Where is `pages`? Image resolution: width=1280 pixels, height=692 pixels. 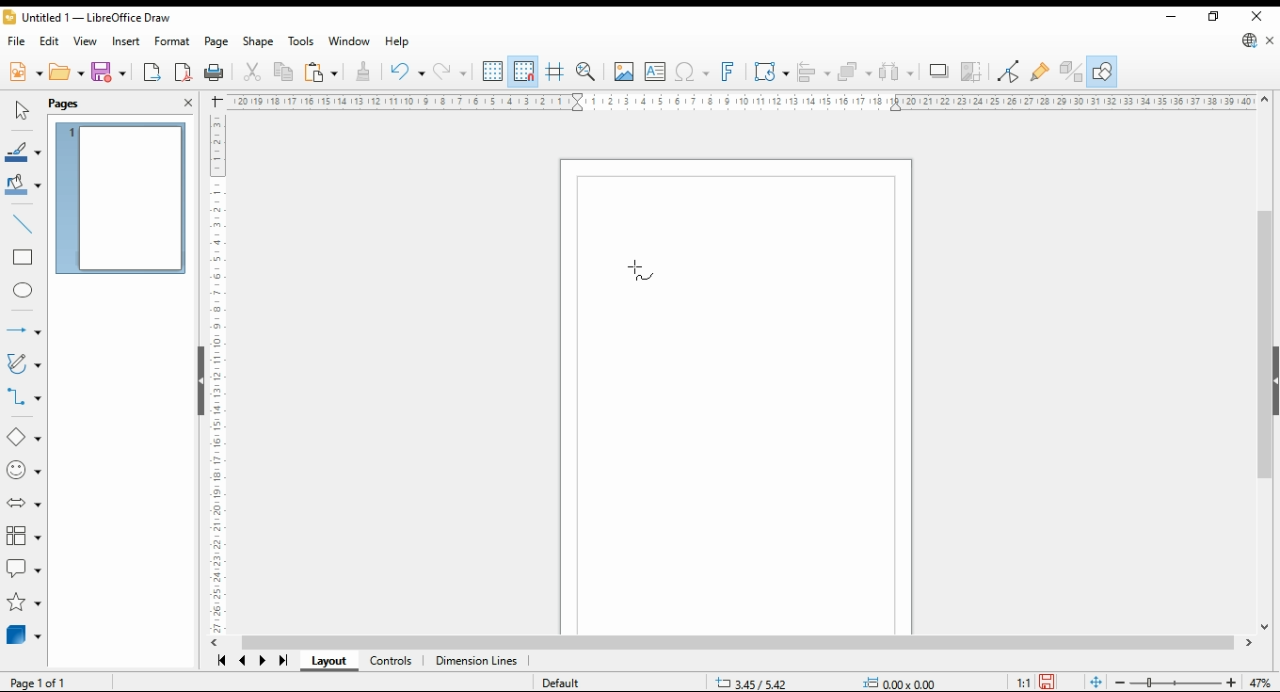 pages is located at coordinates (65, 104).